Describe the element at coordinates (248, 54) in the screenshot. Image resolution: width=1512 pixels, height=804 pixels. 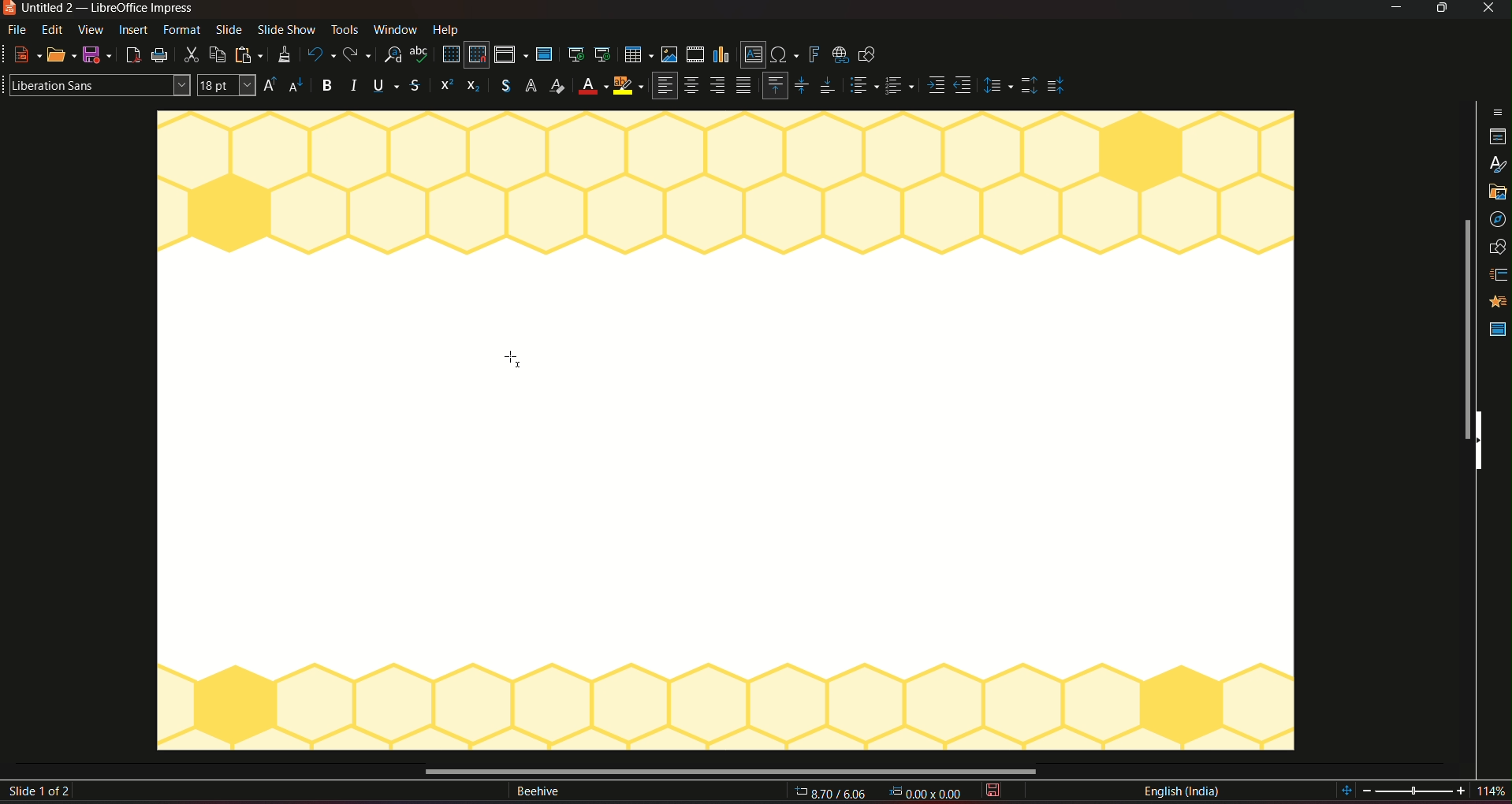
I see `paste` at that location.